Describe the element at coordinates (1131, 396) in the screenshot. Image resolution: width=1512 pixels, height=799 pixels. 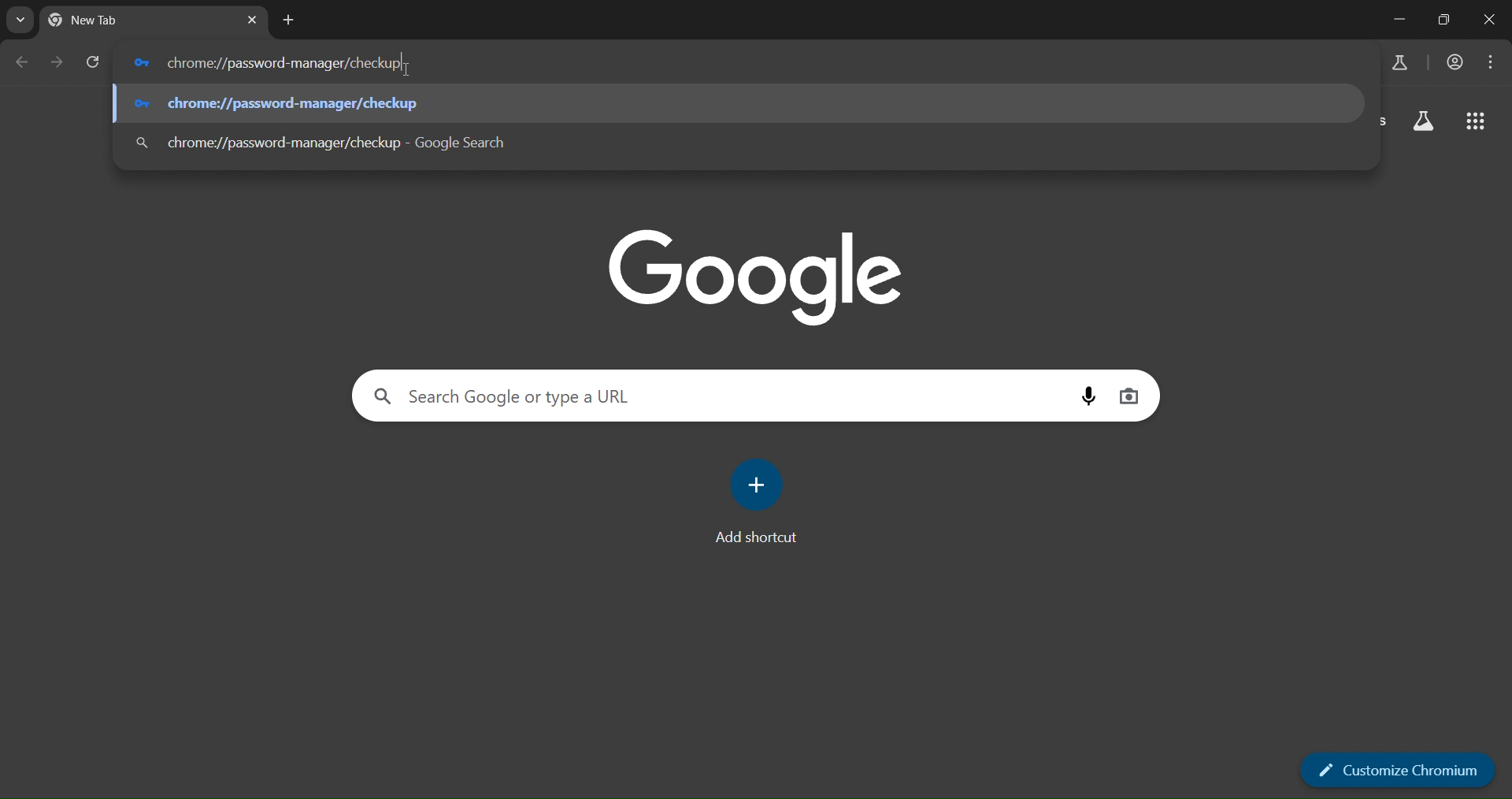
I see `image search` at that location.